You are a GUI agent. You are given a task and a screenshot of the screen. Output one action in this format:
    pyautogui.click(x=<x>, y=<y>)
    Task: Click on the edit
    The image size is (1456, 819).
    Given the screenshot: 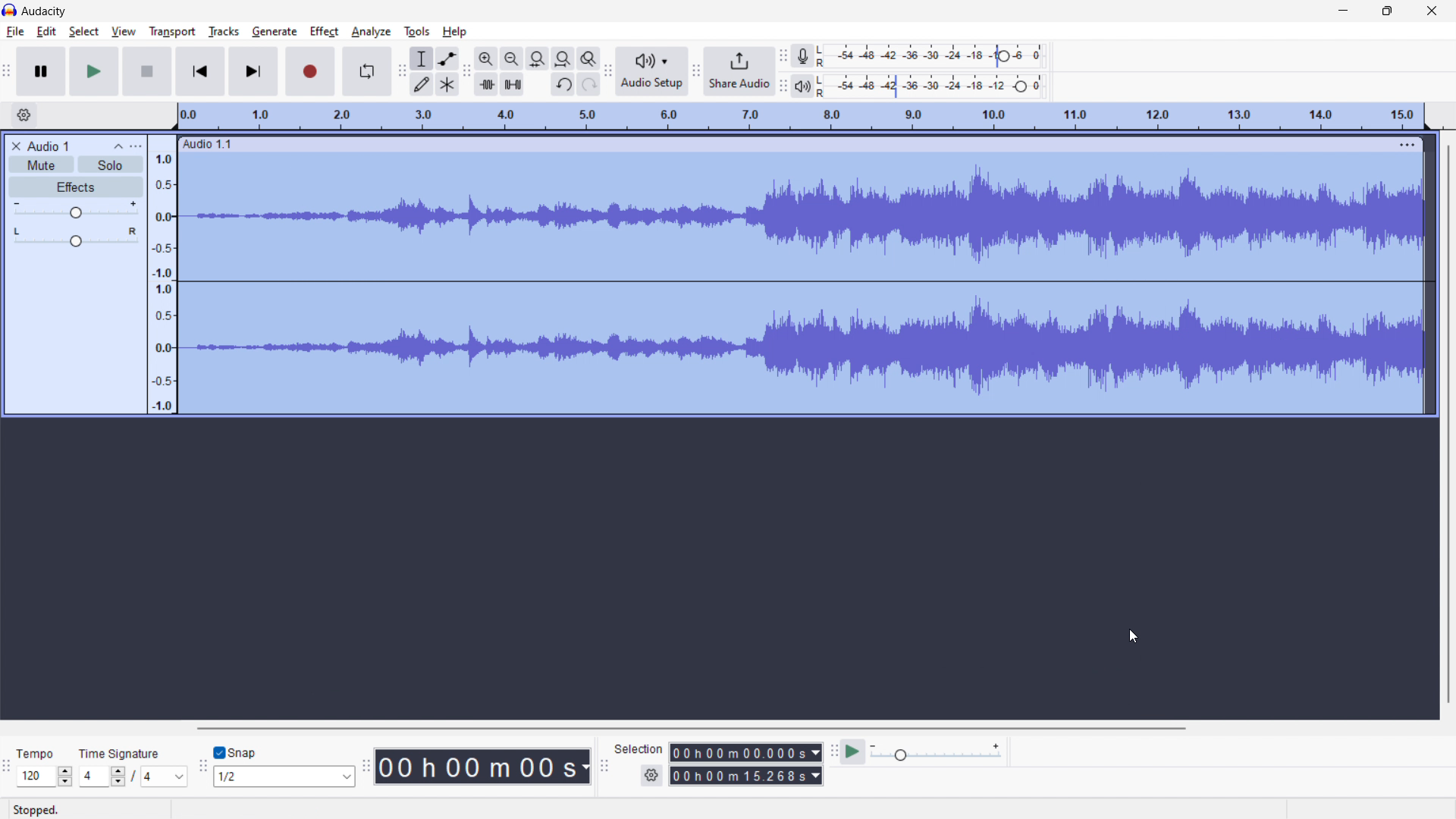 What is the action you would take?
    pyautogui.click(x=47, y=32)
    